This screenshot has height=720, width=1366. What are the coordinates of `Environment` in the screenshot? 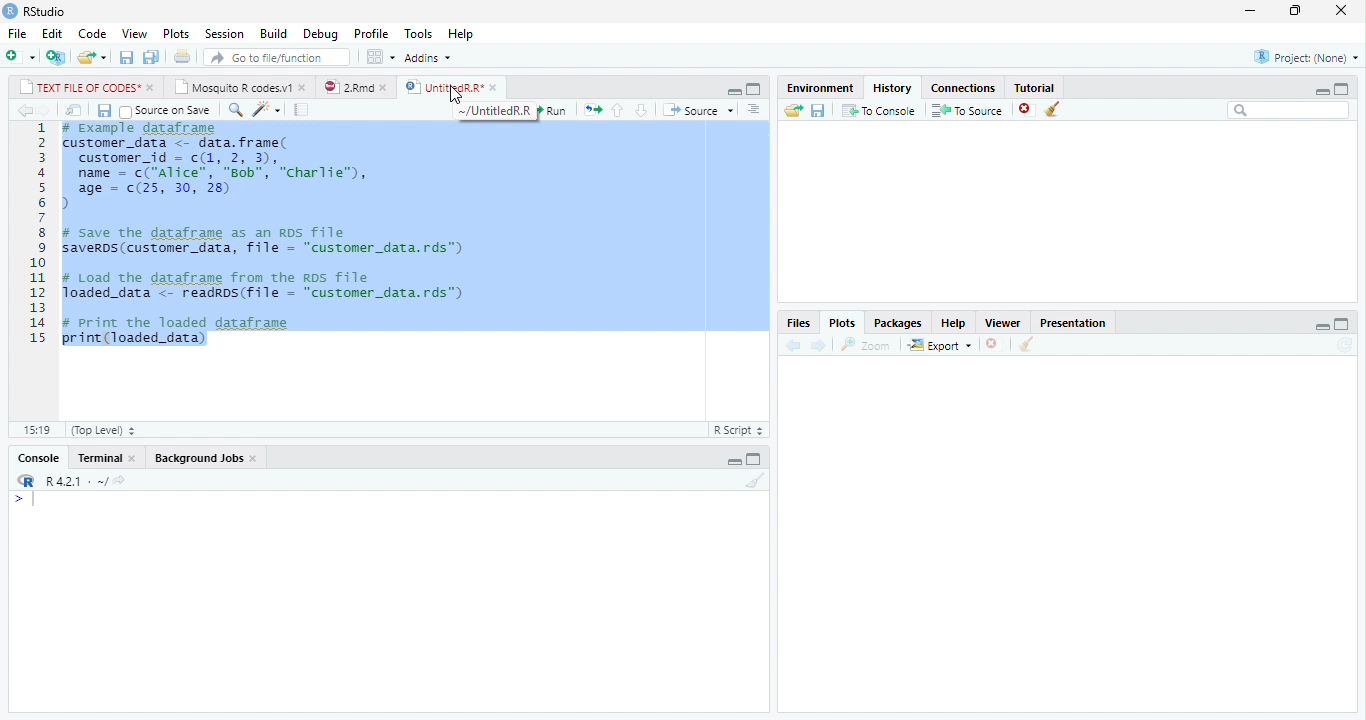 It's located at (820, 87).